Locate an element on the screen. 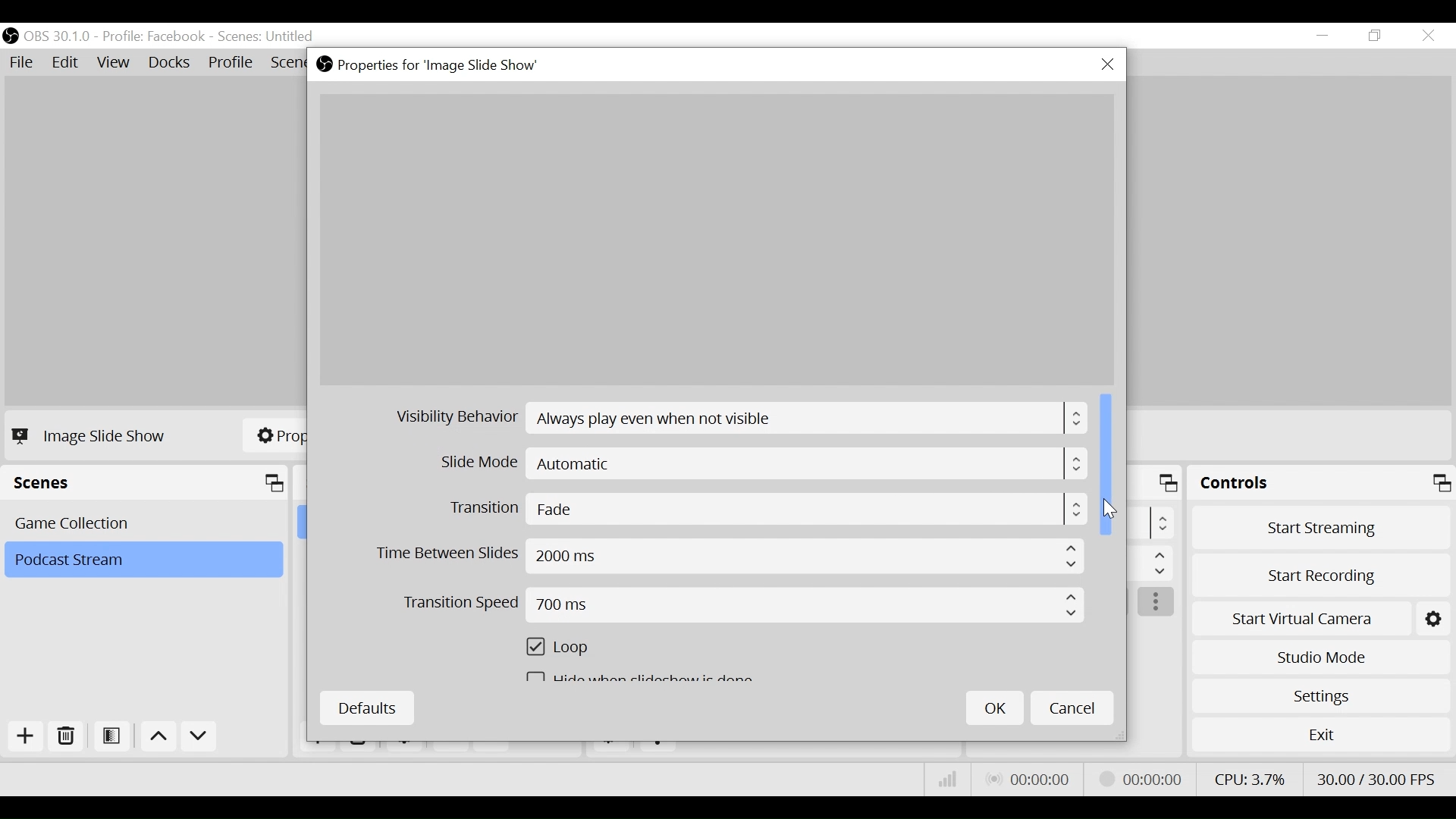 The image size is (1456, 819). Start Streaming is located at coordinates (1322, 527).